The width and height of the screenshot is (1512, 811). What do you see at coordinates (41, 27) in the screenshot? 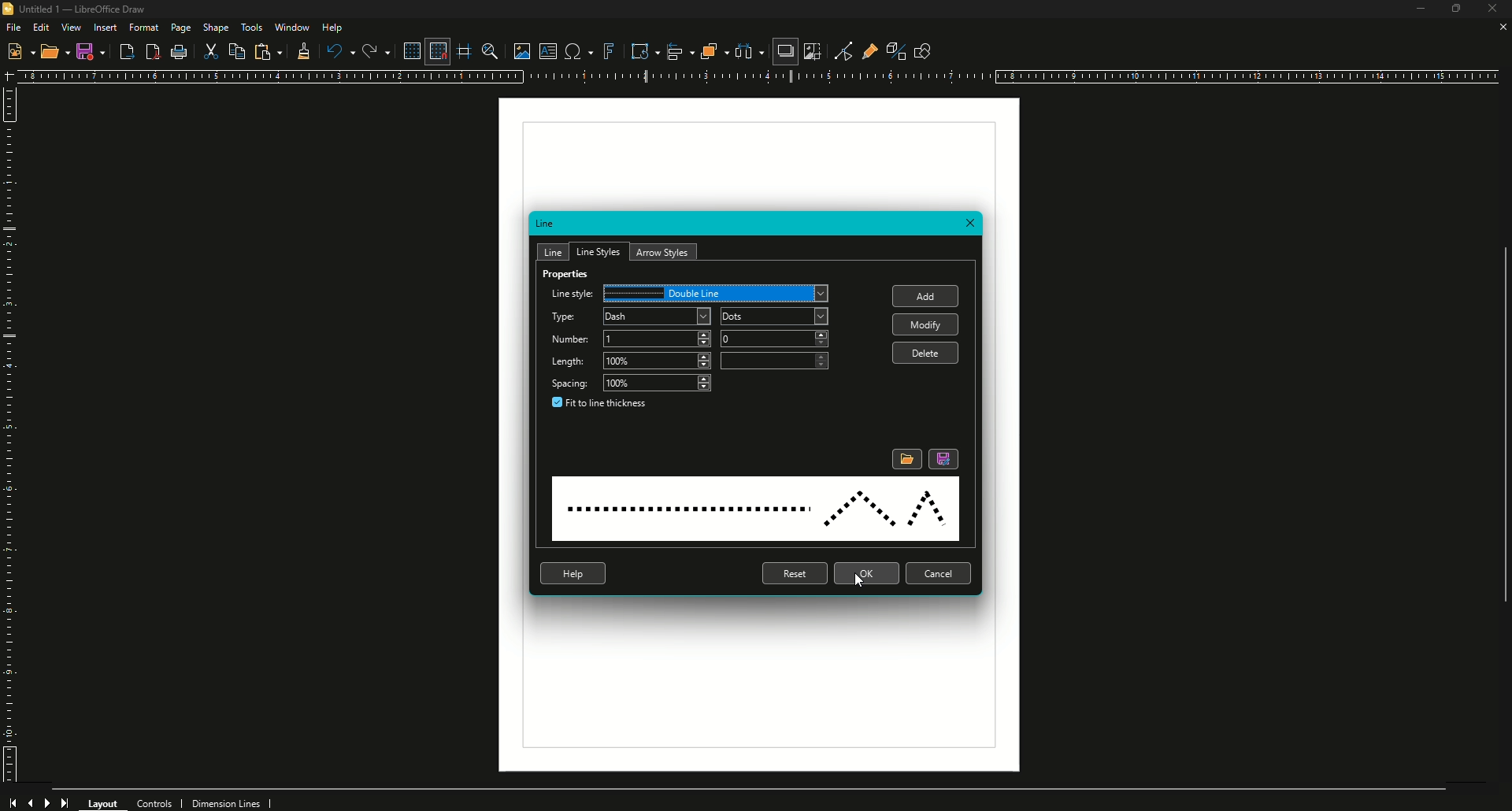
I see `Edit` at bounding box center [41, 27].